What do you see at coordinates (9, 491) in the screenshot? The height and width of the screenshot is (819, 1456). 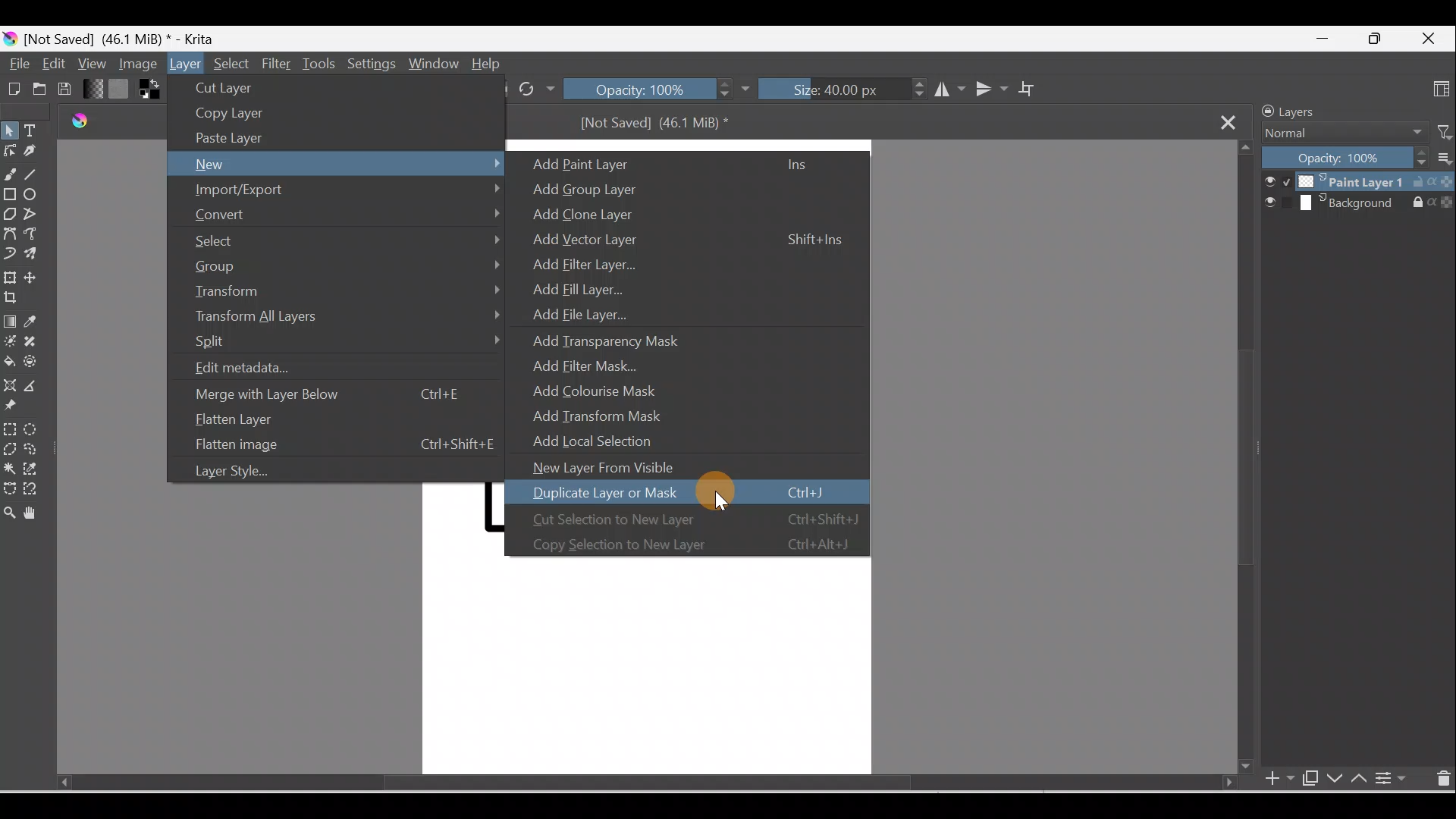 I see `Bezier curve selection tool` at bounding box center [9, 491].